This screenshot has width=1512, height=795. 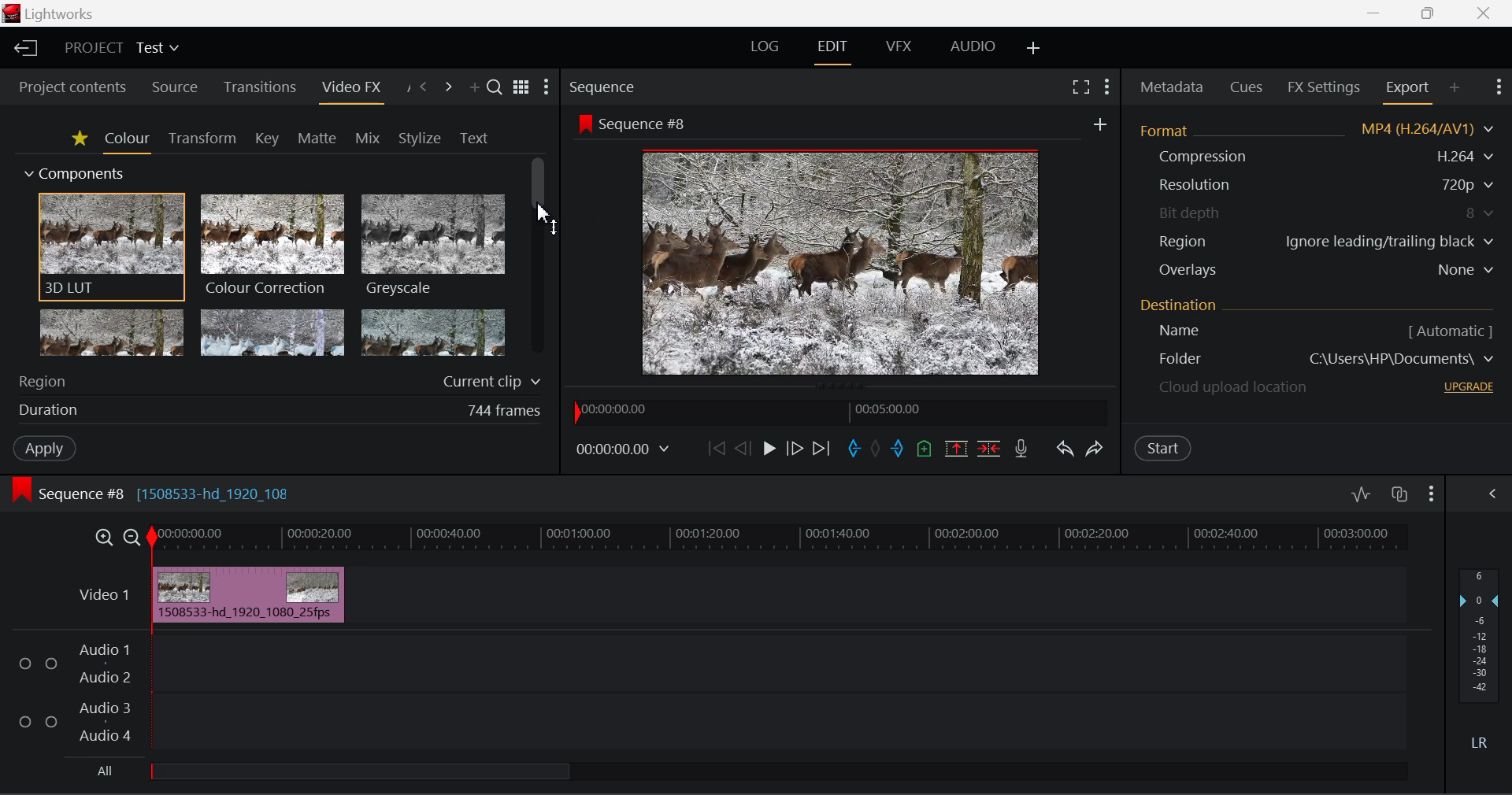 What do you see at coordinates (1419, 129) in the screenshot?
I see `MP4 (H.264/AV1) ` at bounding box center [1419, 129].